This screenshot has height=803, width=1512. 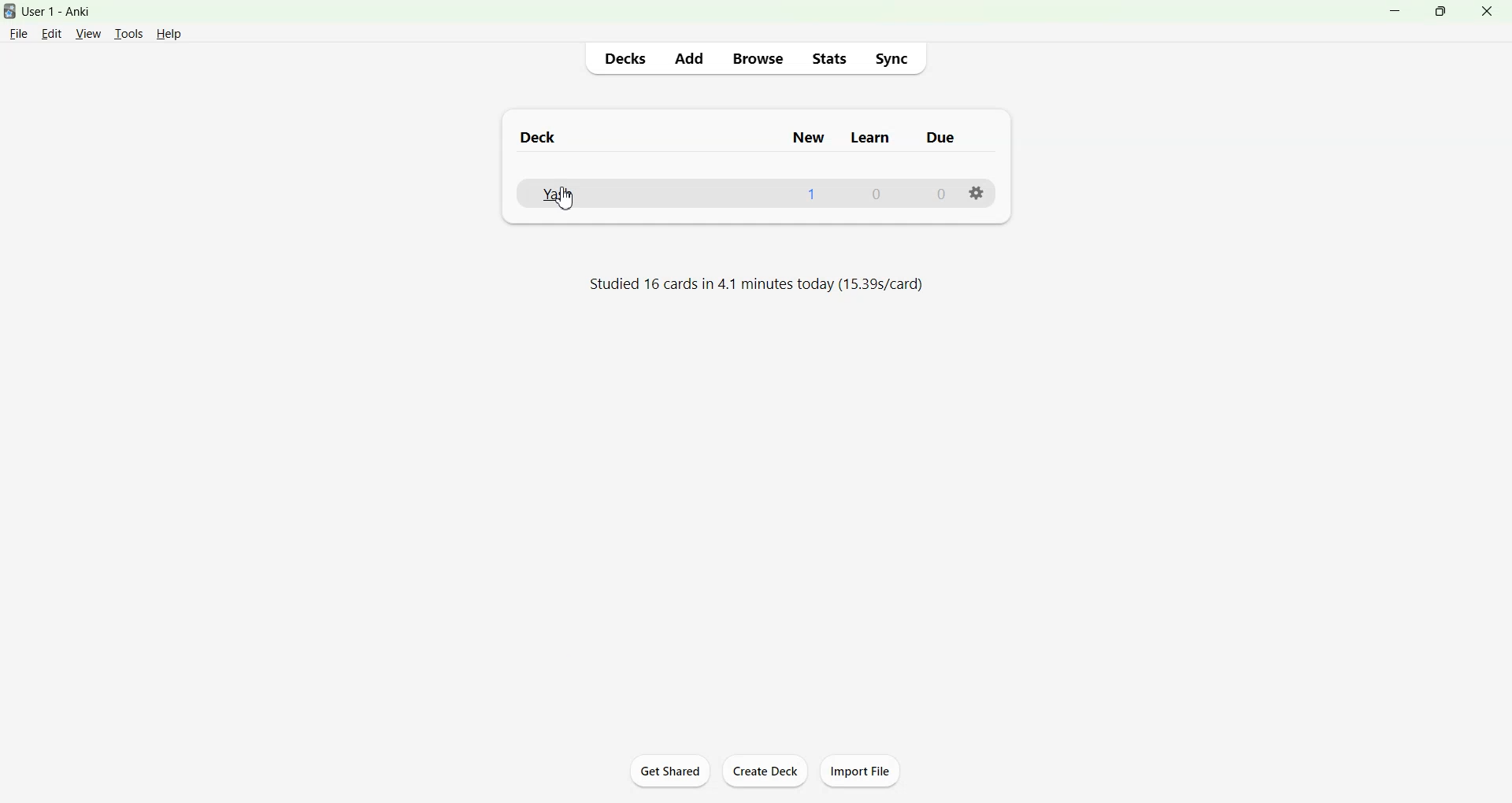 What do you see at coordinates (875, 193) in the screenshot?
I see `1 0 0` at bounding box center [875, 193].